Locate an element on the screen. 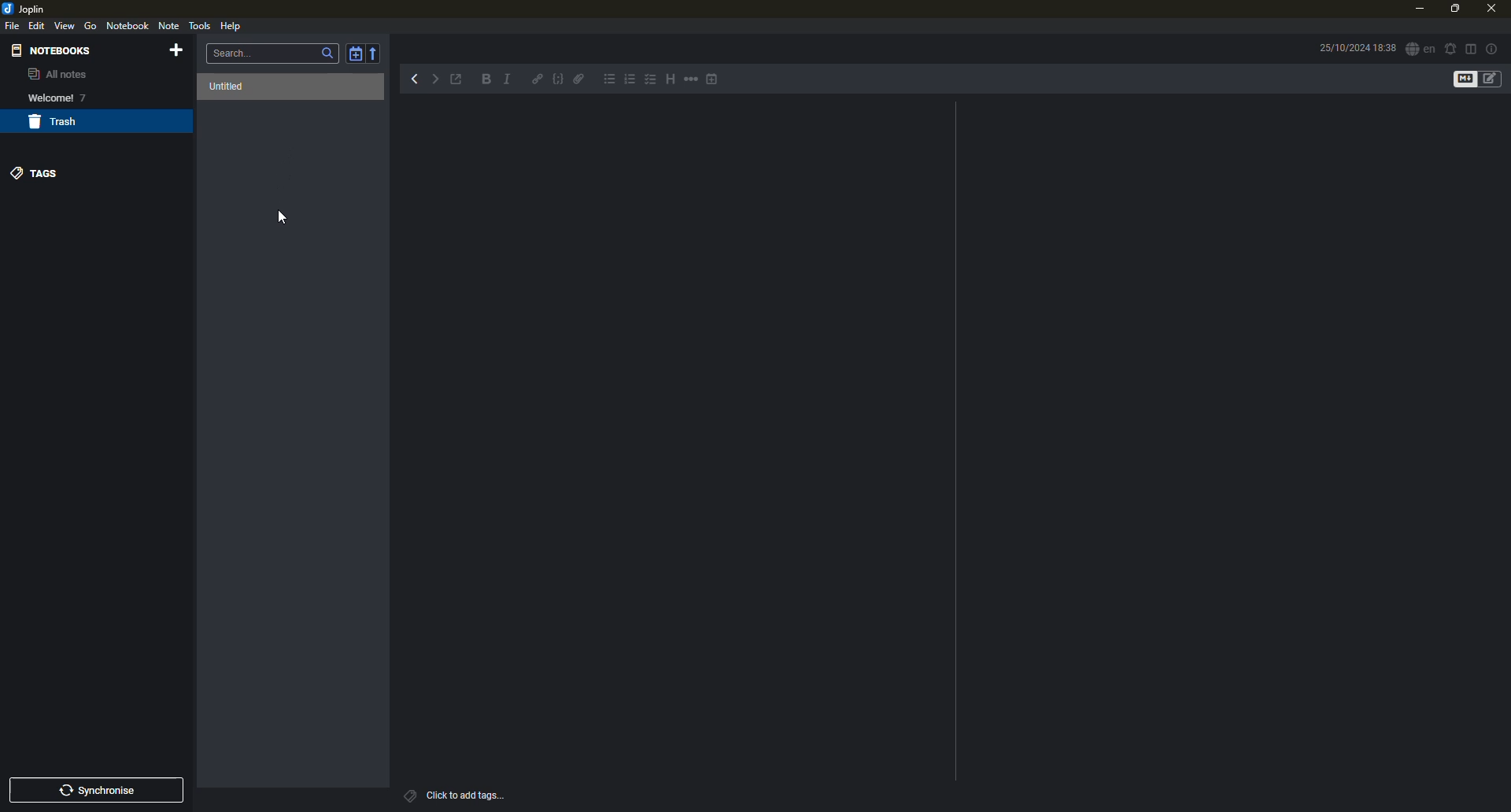  search is located at coordinates (236, 52).